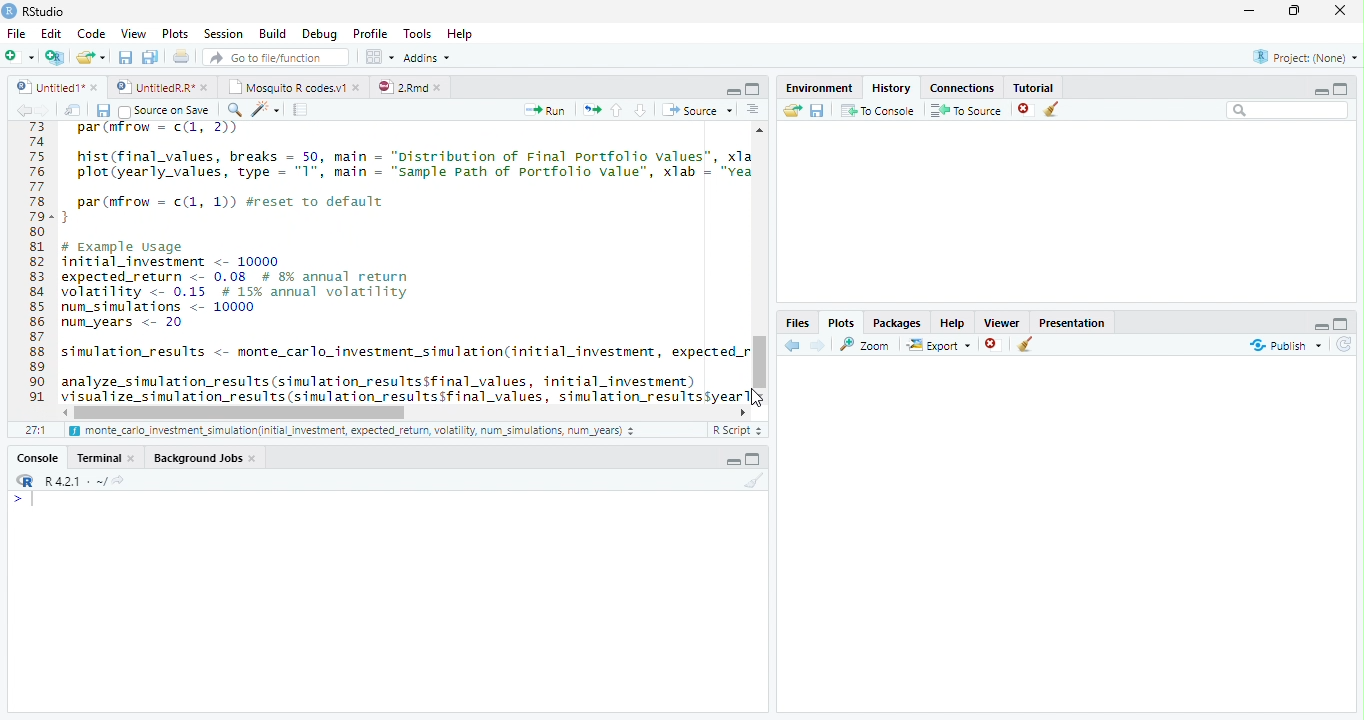 The width and height of the screenshot is (1364, 720). What do you see at coordinates (379, 57) in the screenshot?
I see `Workspace Panes` at bounding box center [379, 57].